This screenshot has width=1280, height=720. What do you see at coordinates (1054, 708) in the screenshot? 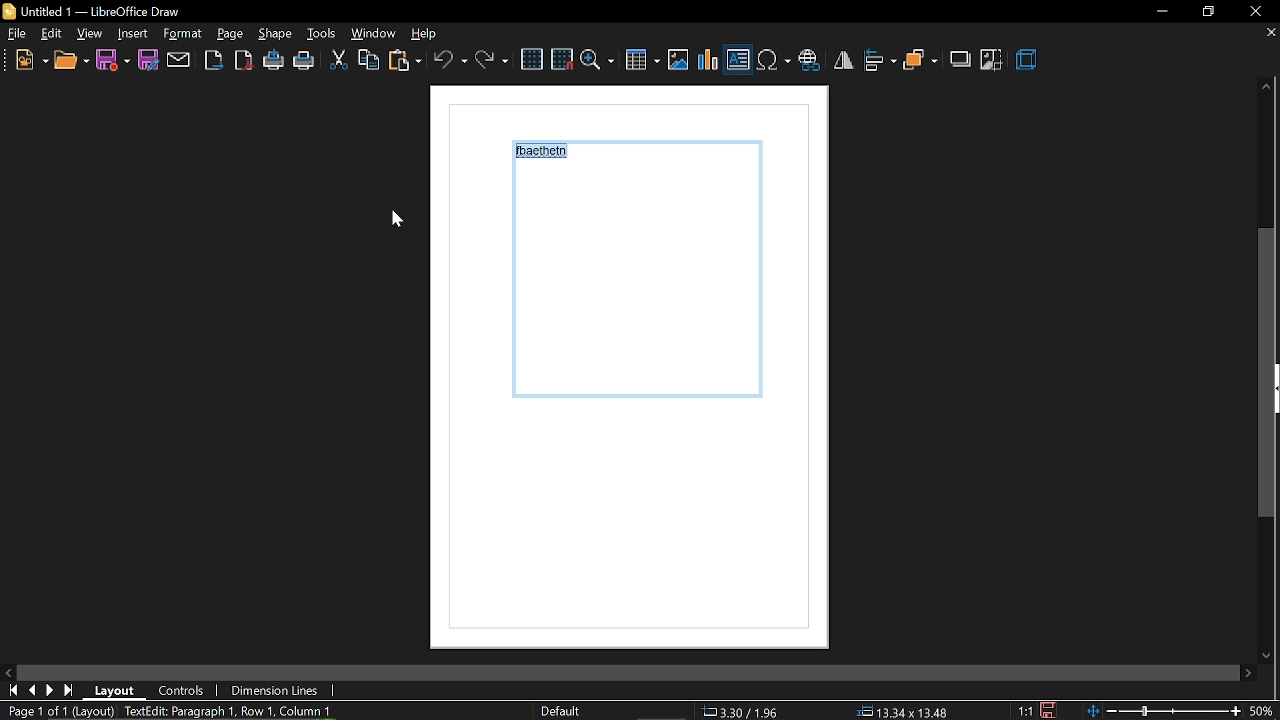
I see `save` at bounding box center [1054, 708].